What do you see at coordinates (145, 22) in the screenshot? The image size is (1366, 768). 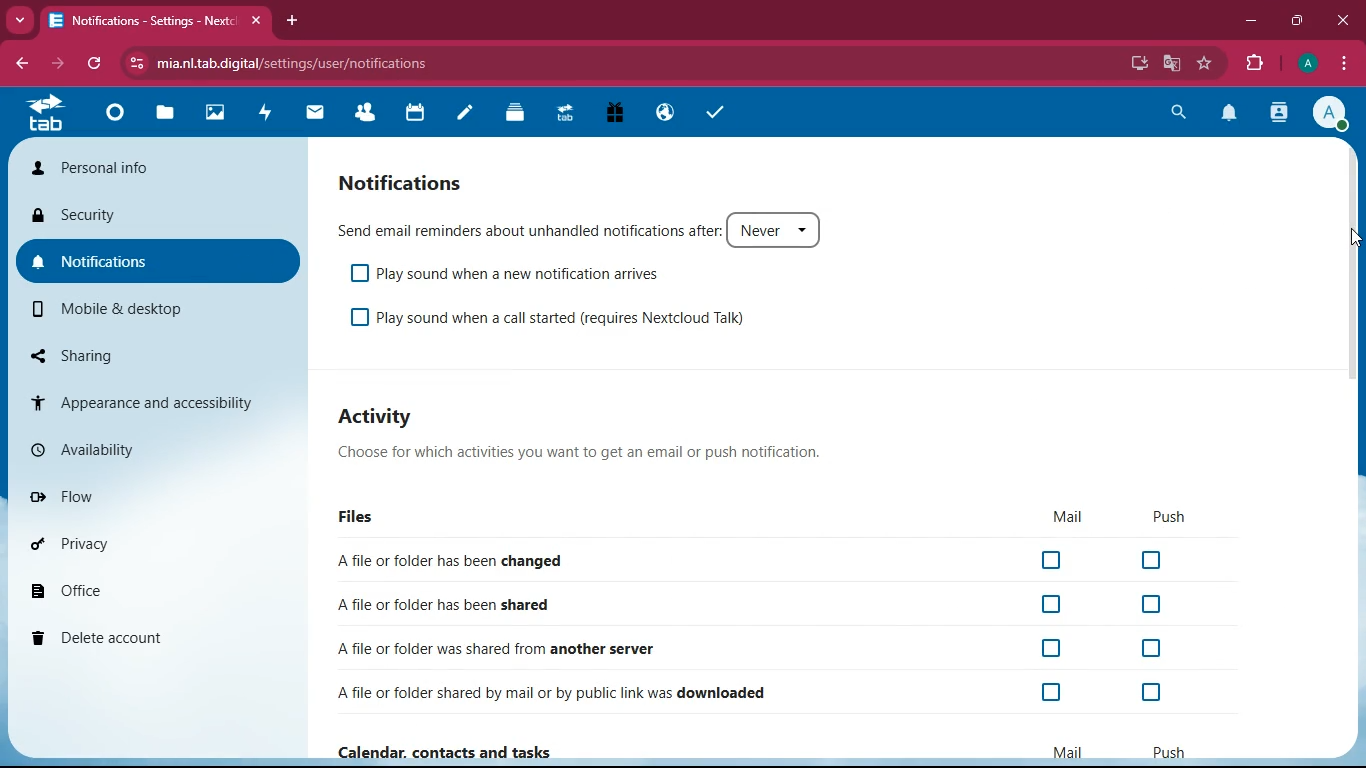 I see `Notifications- Setting - Next` at bounding box center [145, 22].